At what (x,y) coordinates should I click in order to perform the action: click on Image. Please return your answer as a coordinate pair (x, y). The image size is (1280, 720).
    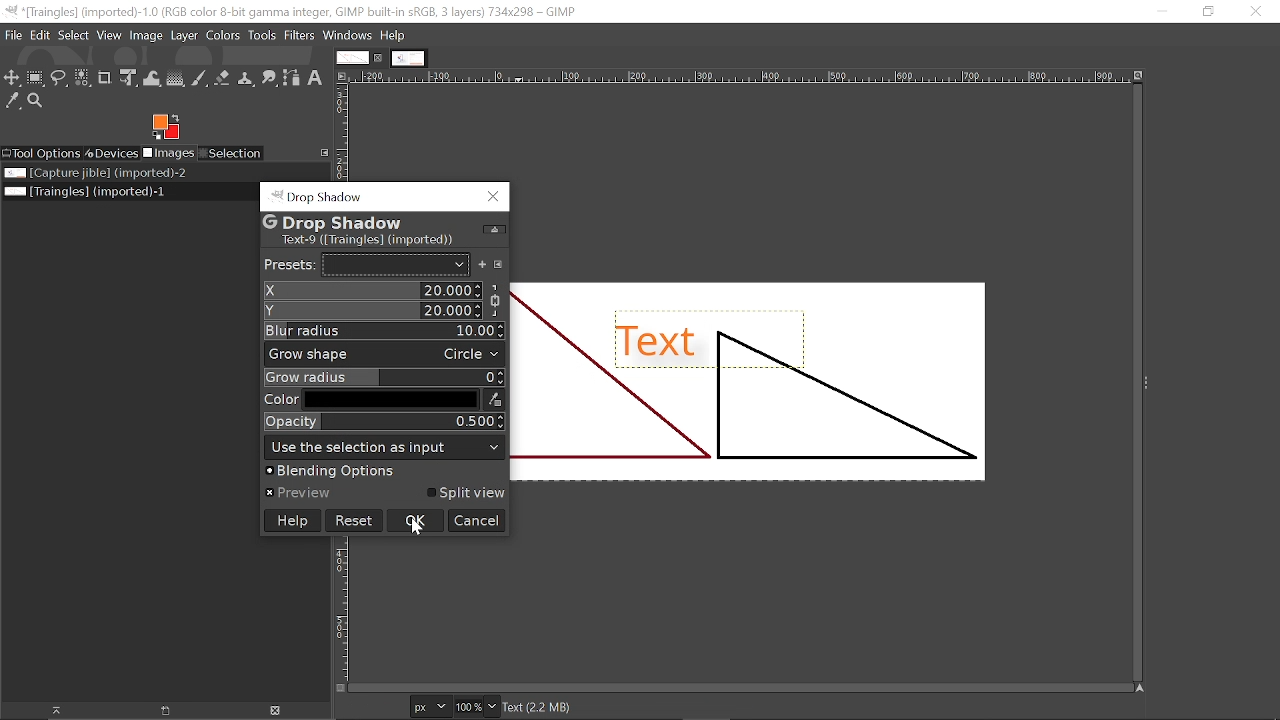
    Looking at the image, I should click on (146, 36).